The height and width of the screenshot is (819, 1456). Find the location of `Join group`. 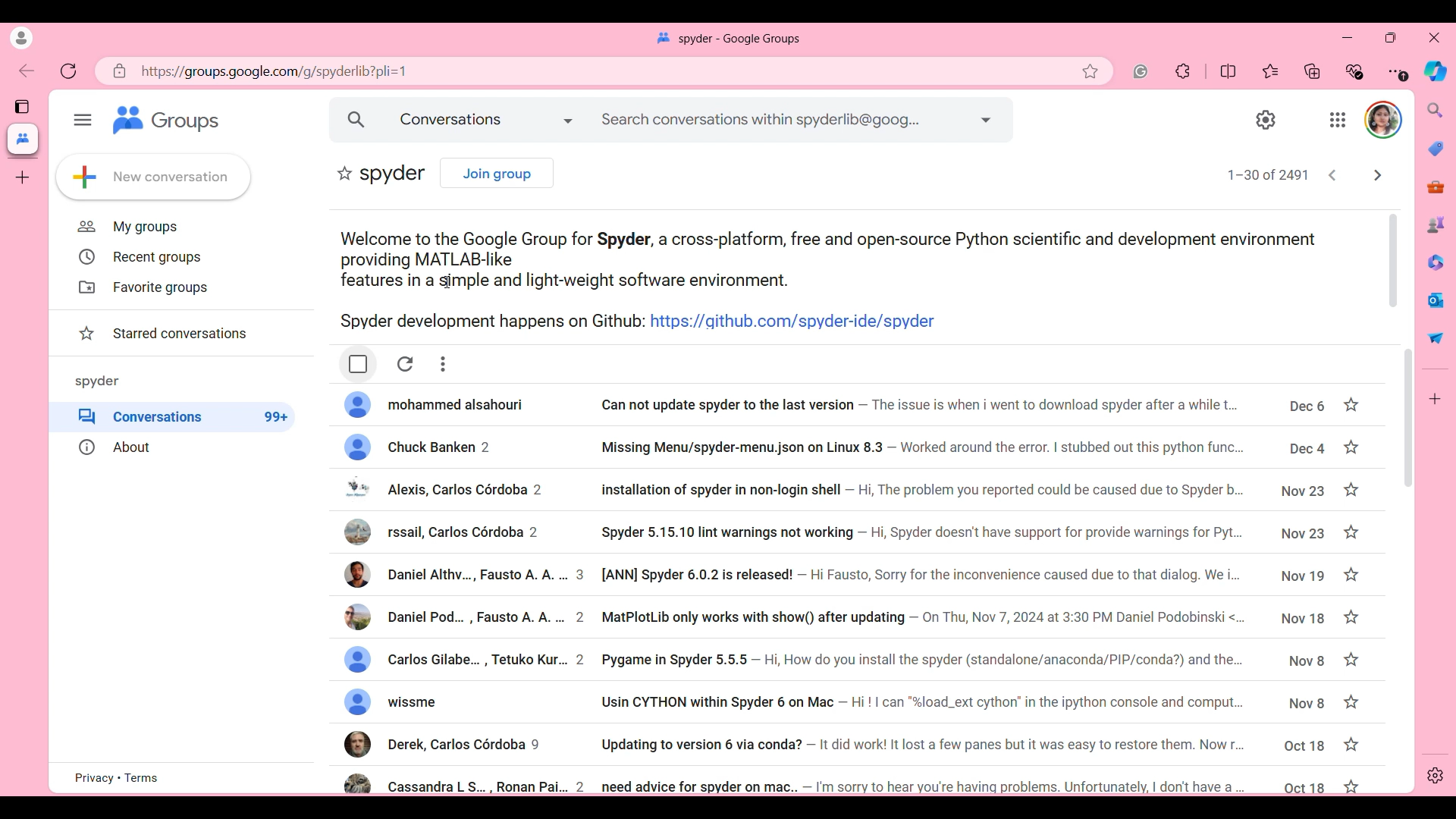

Join group is located at coordinates (497, 174).